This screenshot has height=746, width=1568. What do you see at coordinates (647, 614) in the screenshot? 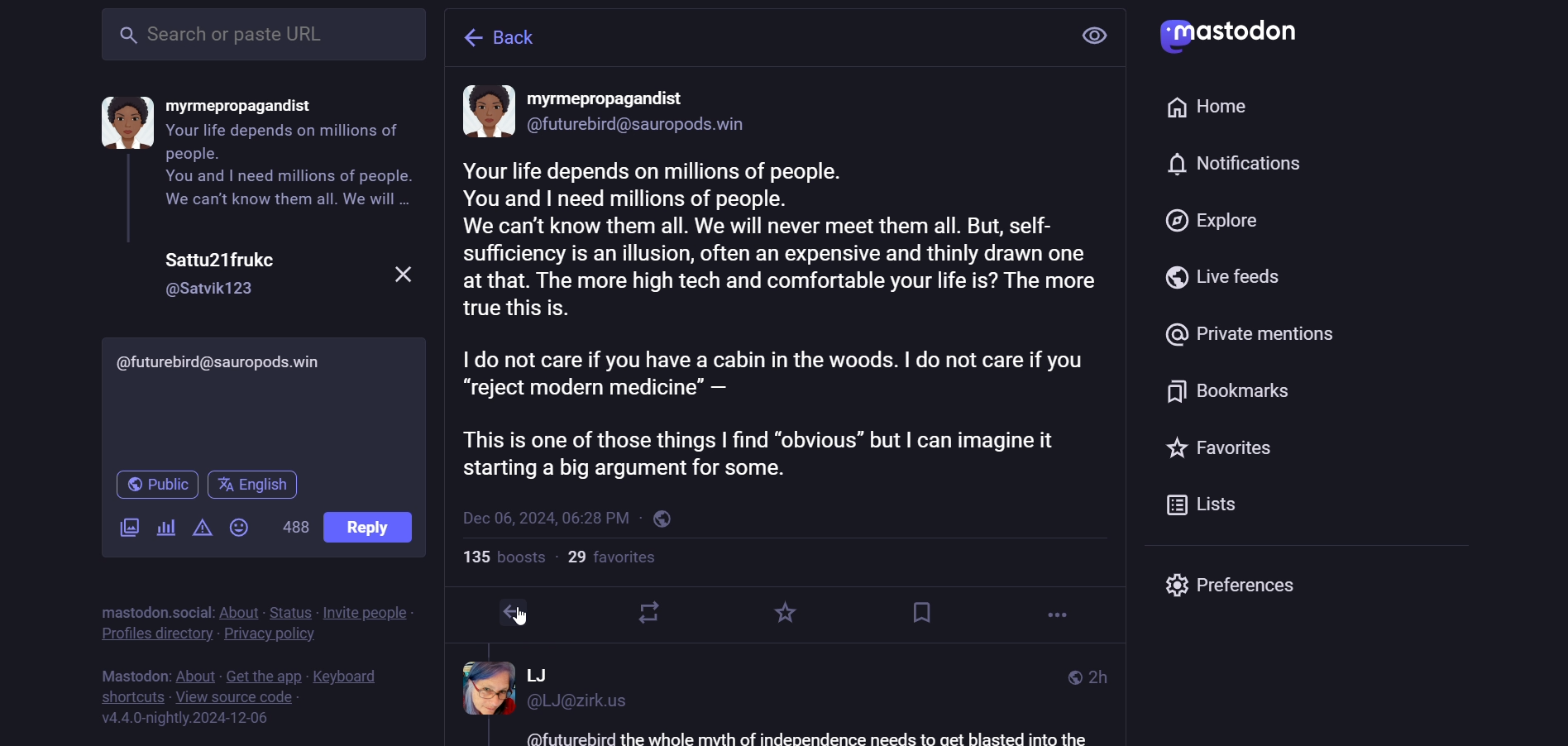
I see `boost` at bounding box center [647, 614].